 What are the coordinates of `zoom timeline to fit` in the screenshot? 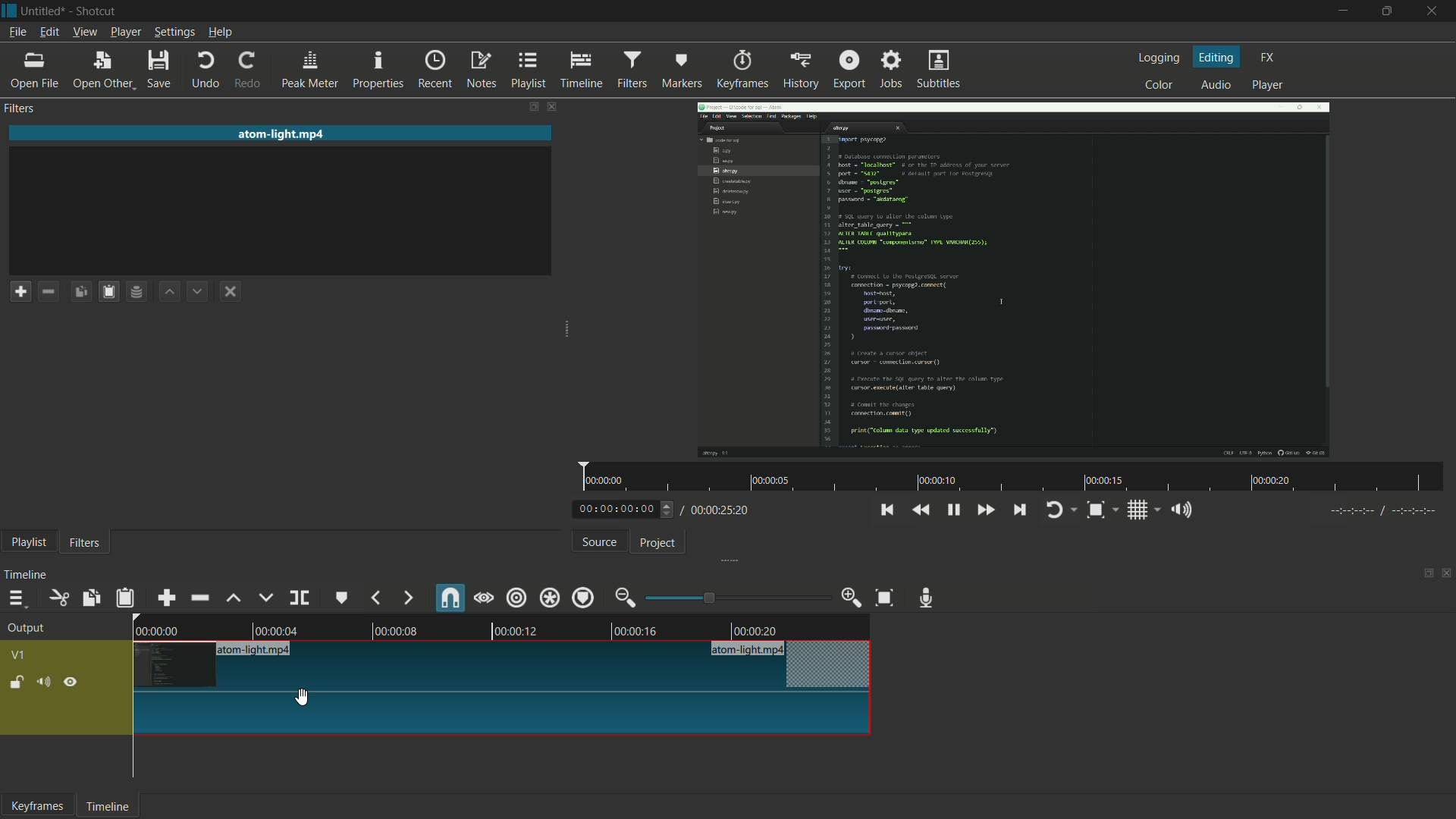 It's located at (1094, 510).